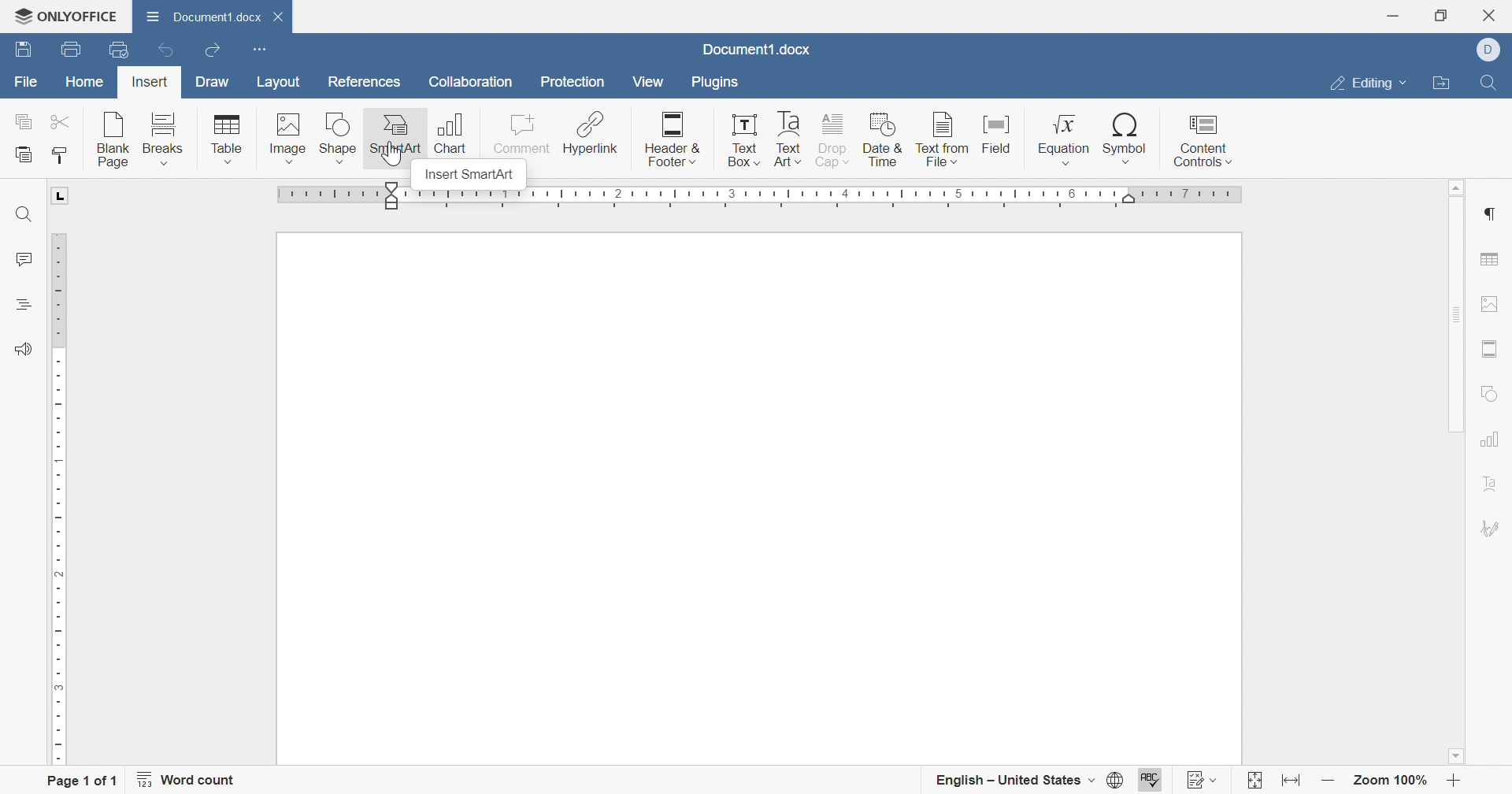  What do you see at coordinates (883, 141) in the screenshot?
I see `Date & time` at bounding box center [883, 141].